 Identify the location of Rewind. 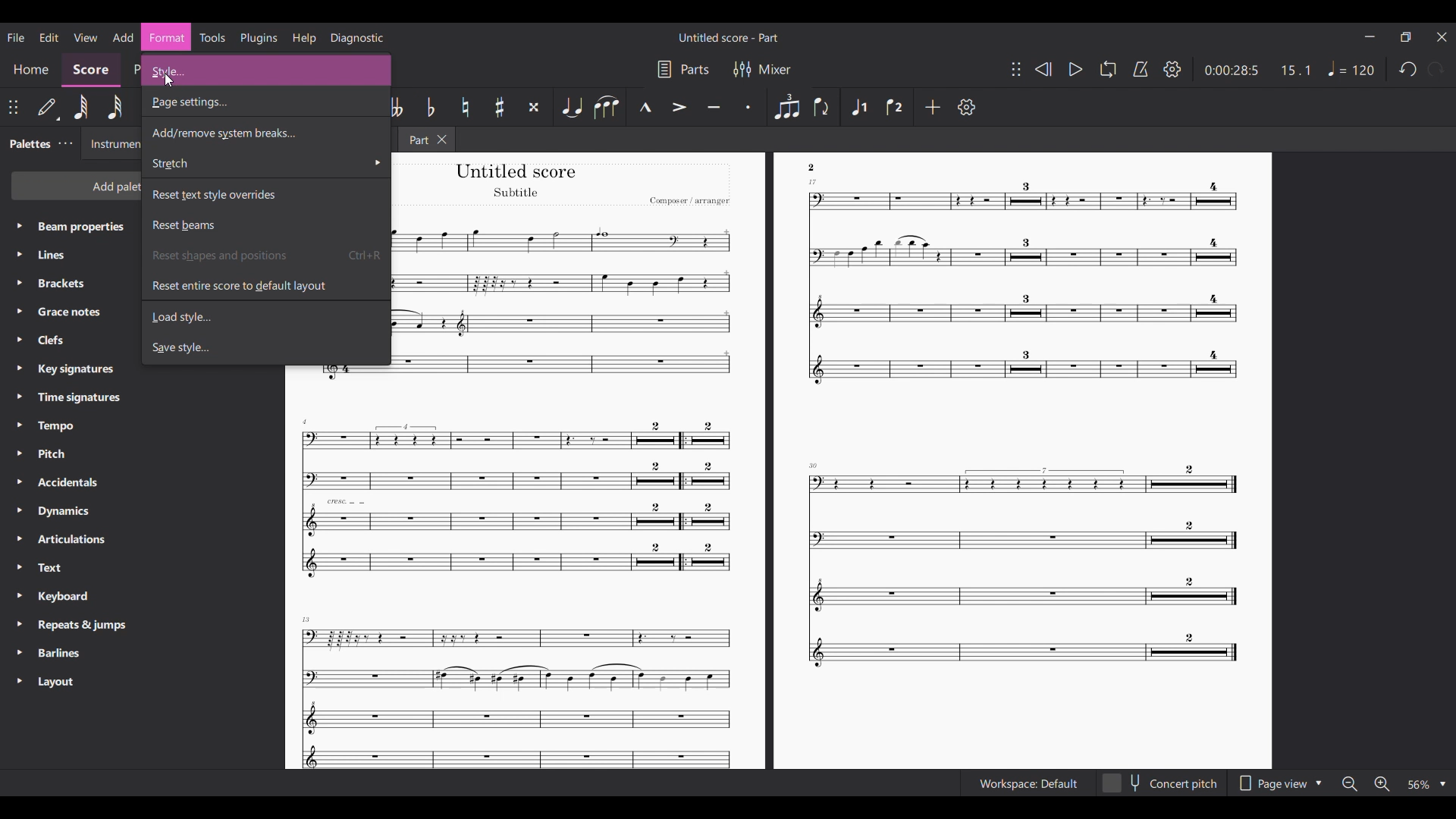
(1043, 69).